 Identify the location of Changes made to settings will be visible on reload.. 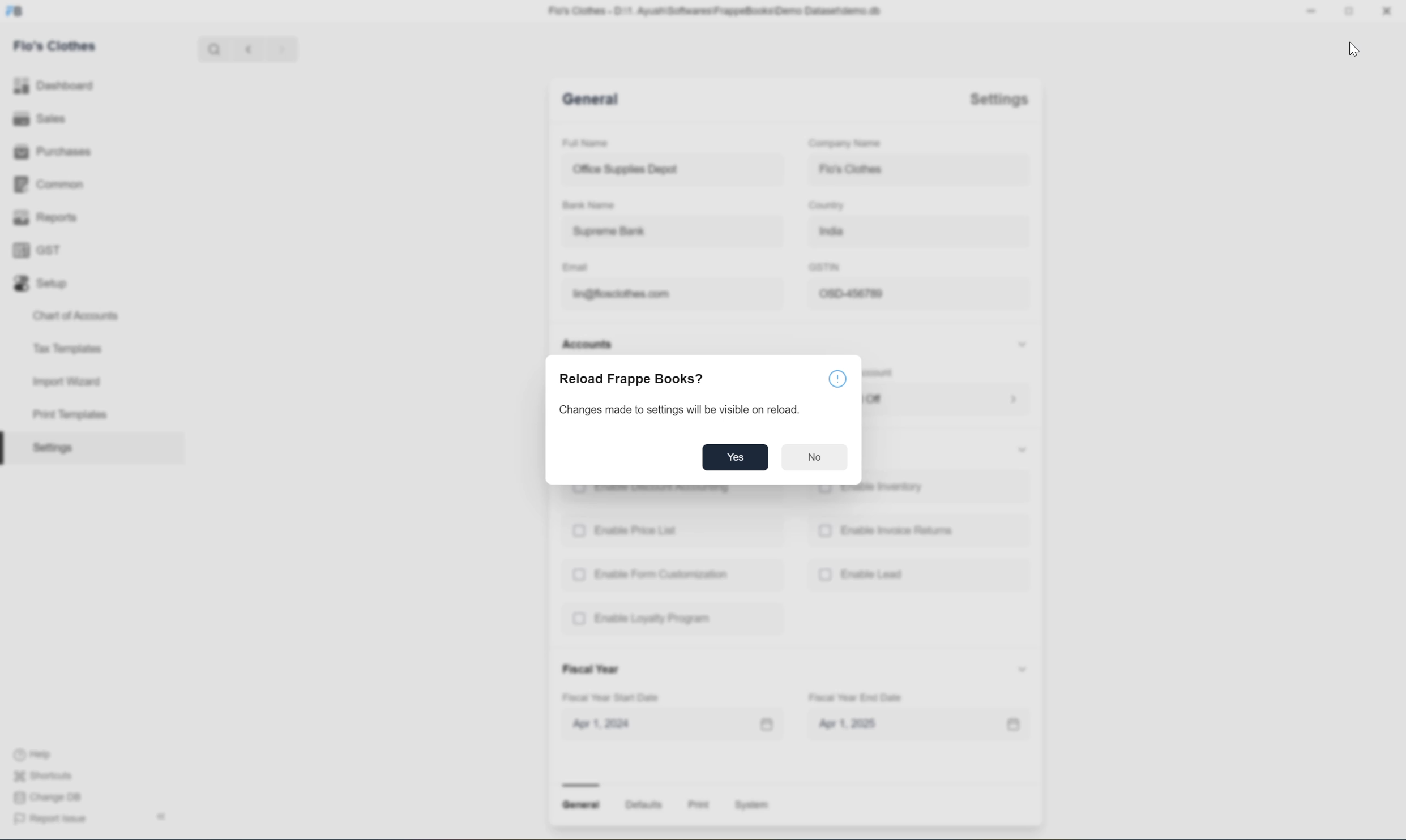
(680, 410).